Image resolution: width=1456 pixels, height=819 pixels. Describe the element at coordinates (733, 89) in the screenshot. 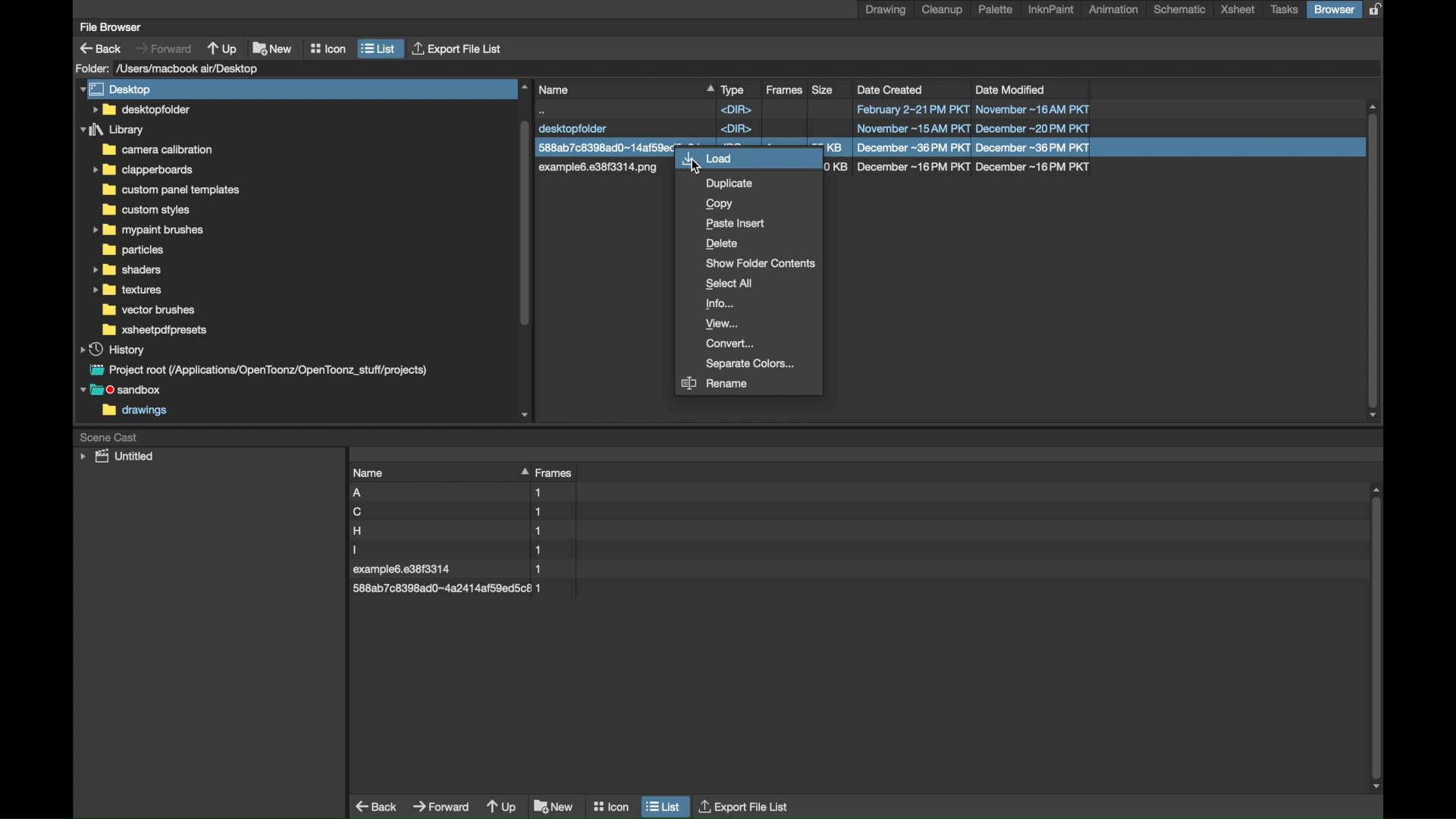

I see `type` at that location.